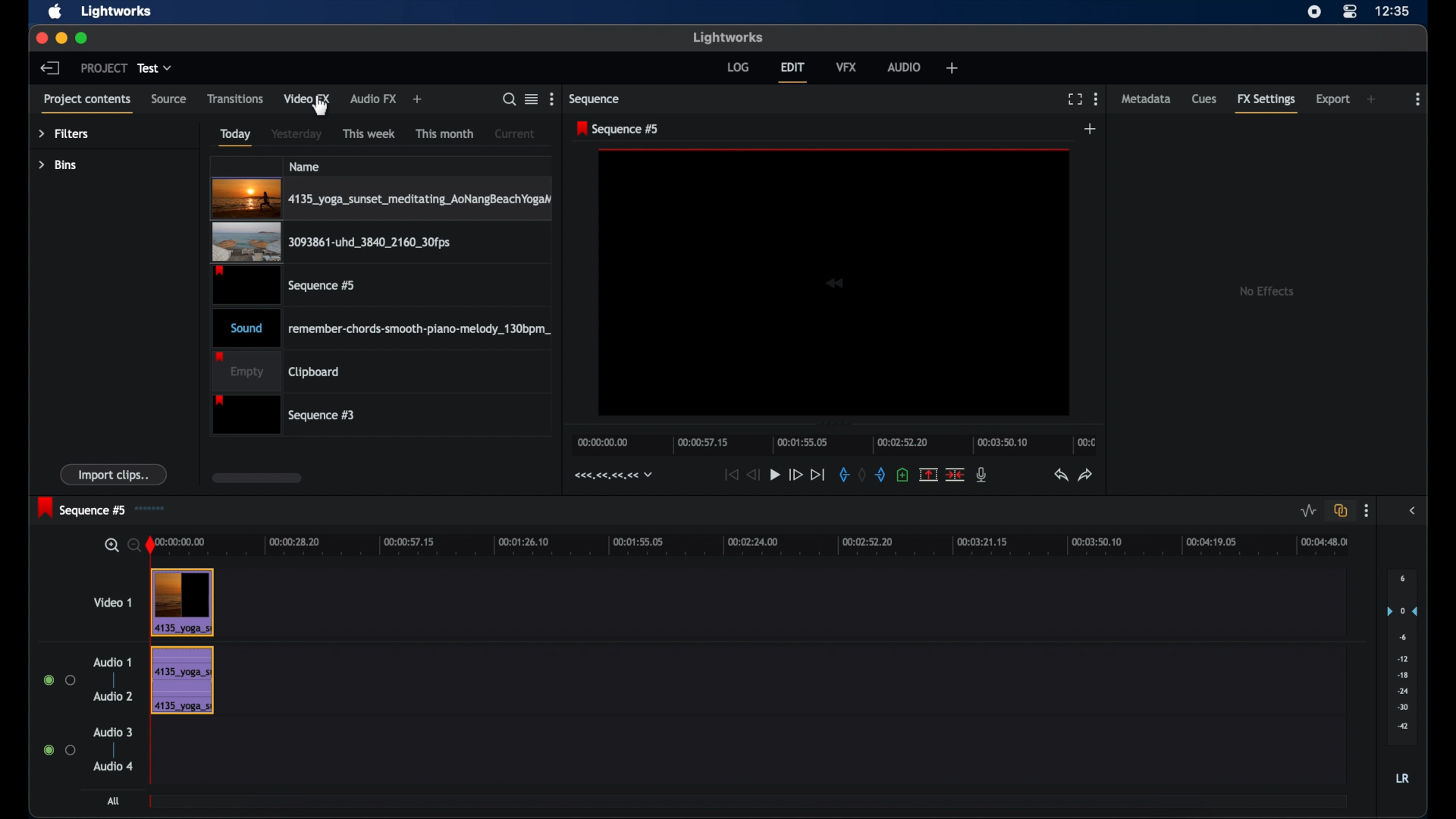 The height and width of the screenshot is (819, 1456). I want to click on radio buttons, so click(58, 750).